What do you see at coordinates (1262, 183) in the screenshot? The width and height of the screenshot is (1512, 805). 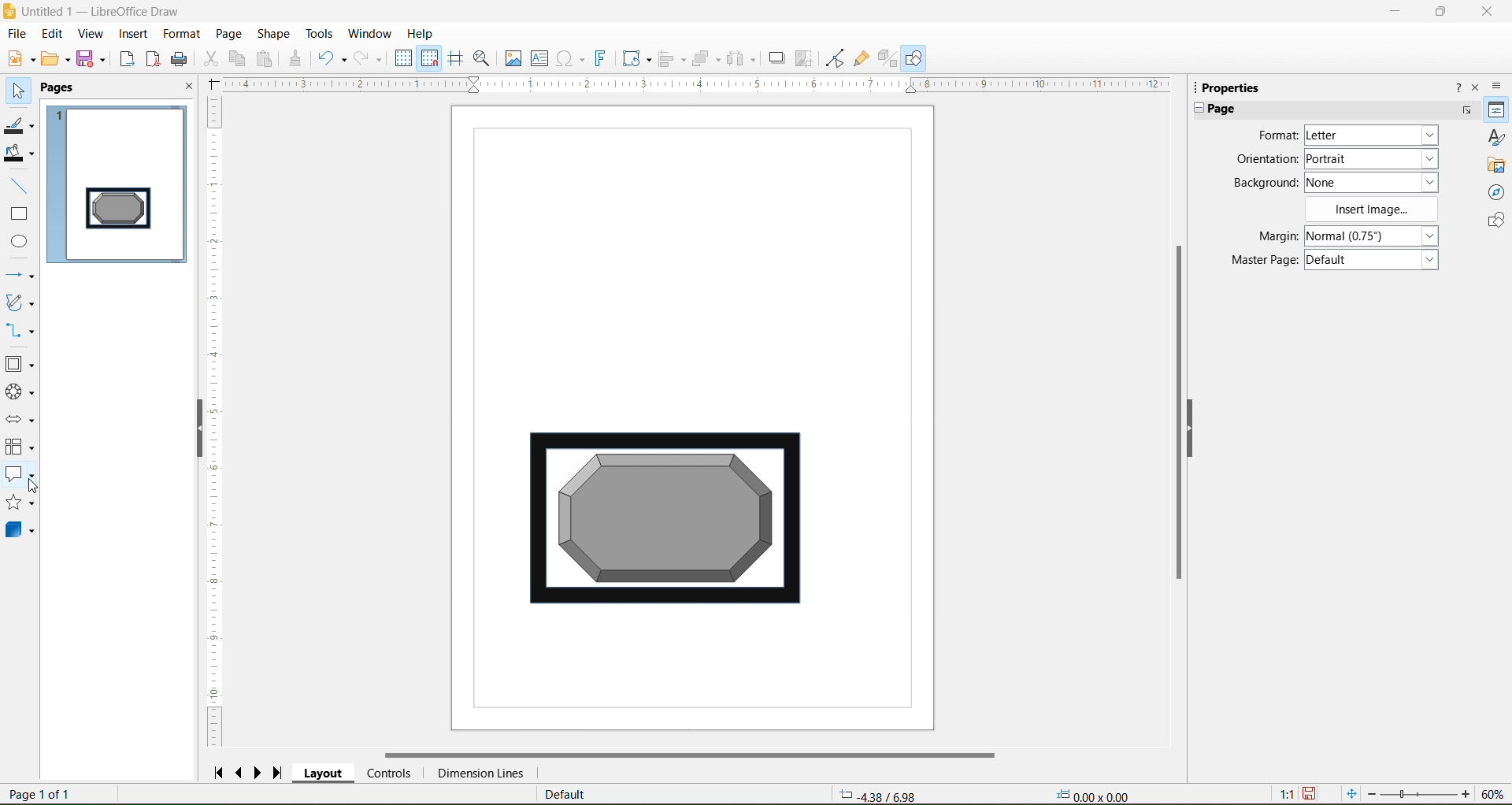 I see `Background` at bounding box center [1262, 183].